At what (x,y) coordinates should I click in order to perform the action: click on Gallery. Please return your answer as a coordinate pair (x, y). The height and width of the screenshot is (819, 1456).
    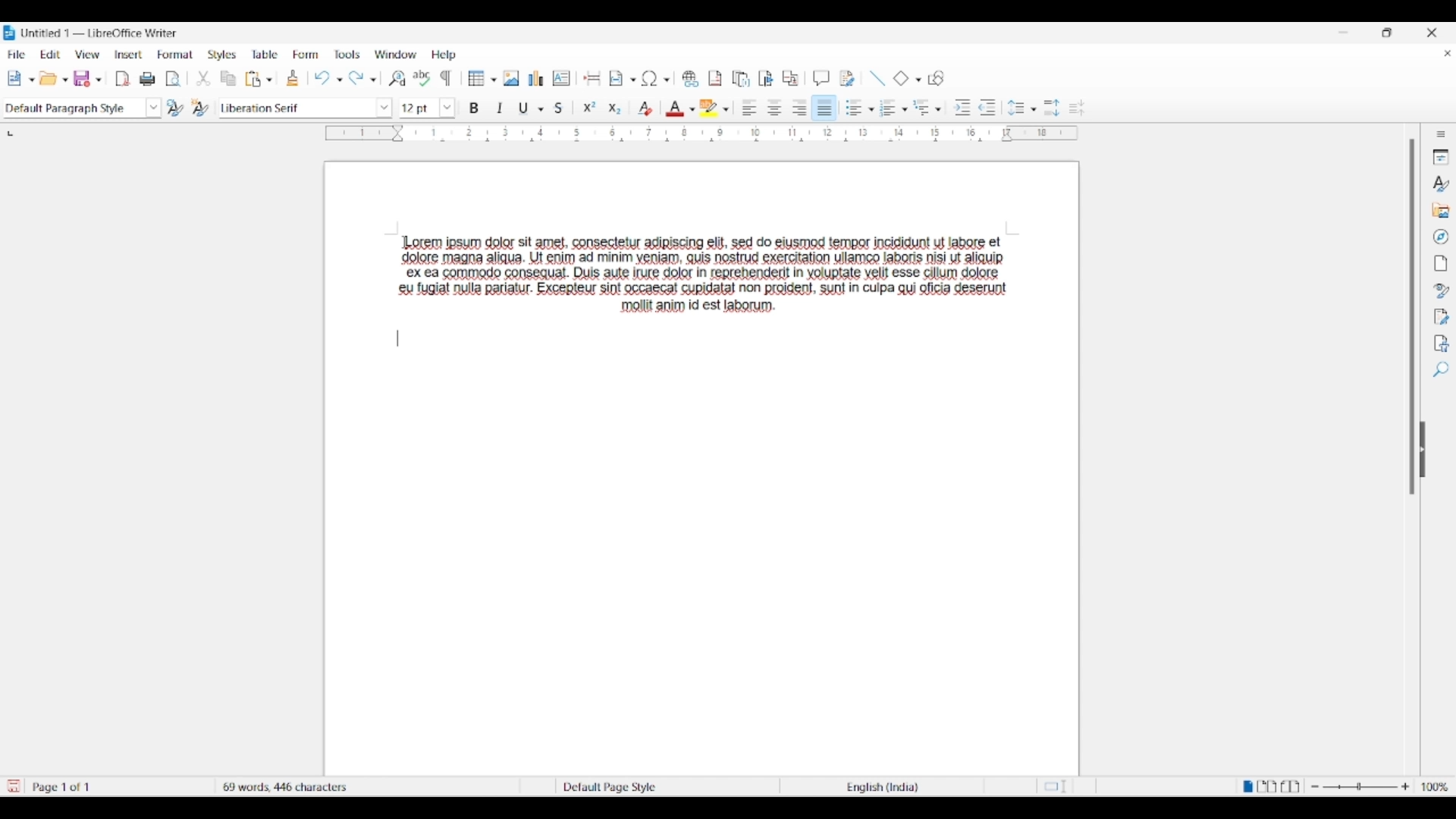
    Looking at the image, I should click on (1440, 210).